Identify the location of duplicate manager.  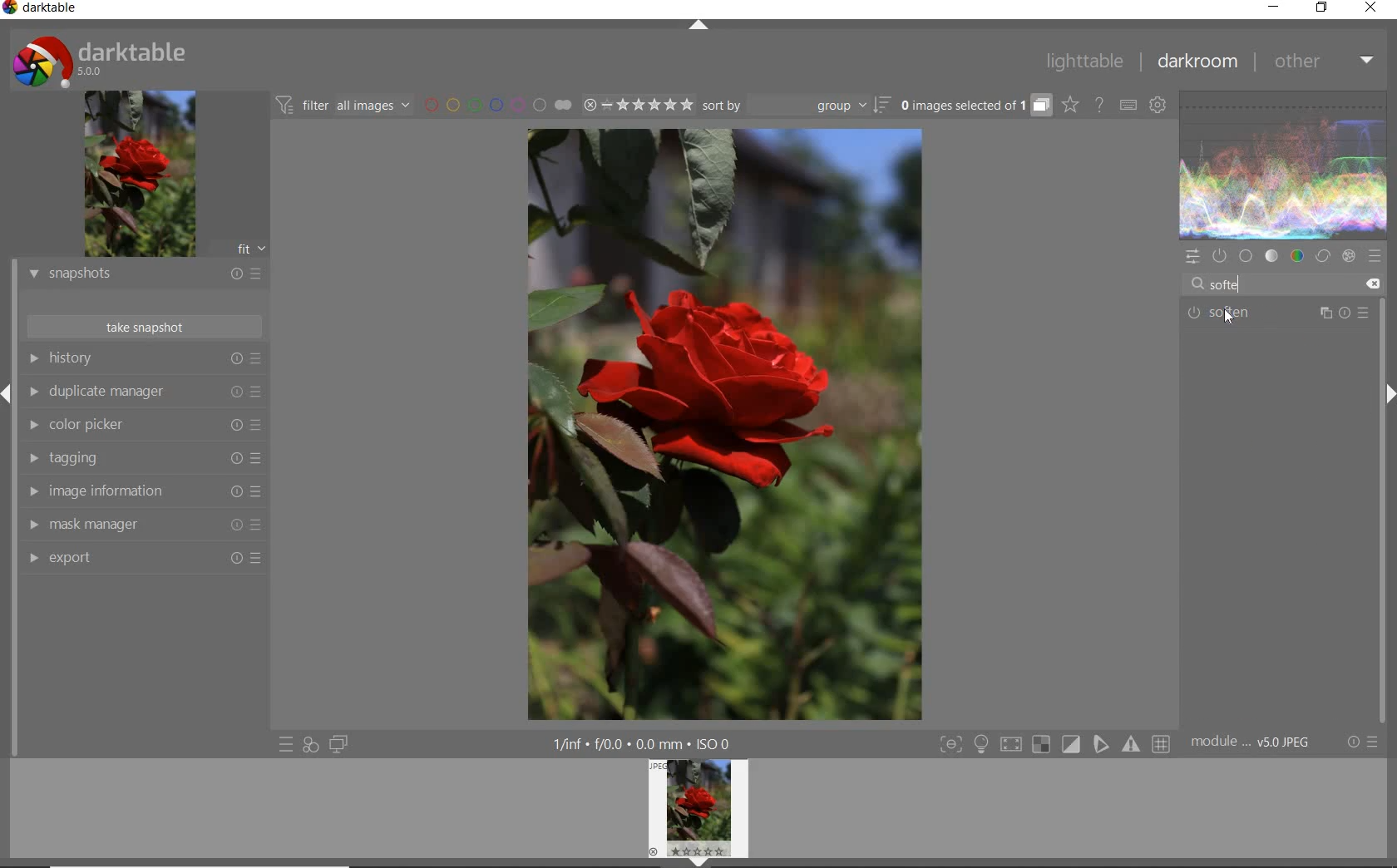
(143, 392).